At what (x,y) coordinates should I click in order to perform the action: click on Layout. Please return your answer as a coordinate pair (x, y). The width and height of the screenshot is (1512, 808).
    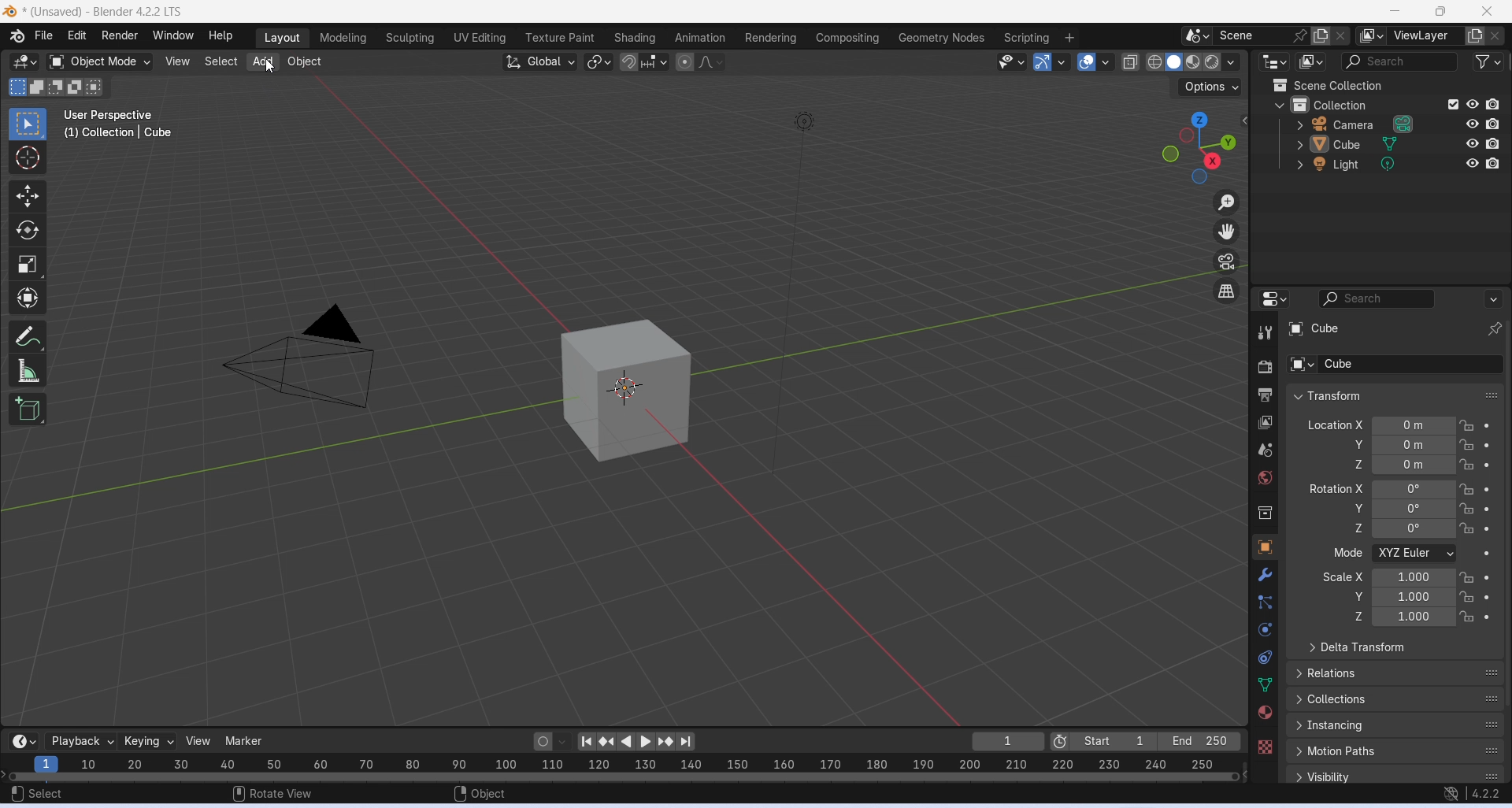
    Looking at the image, I should click on (282, 39).